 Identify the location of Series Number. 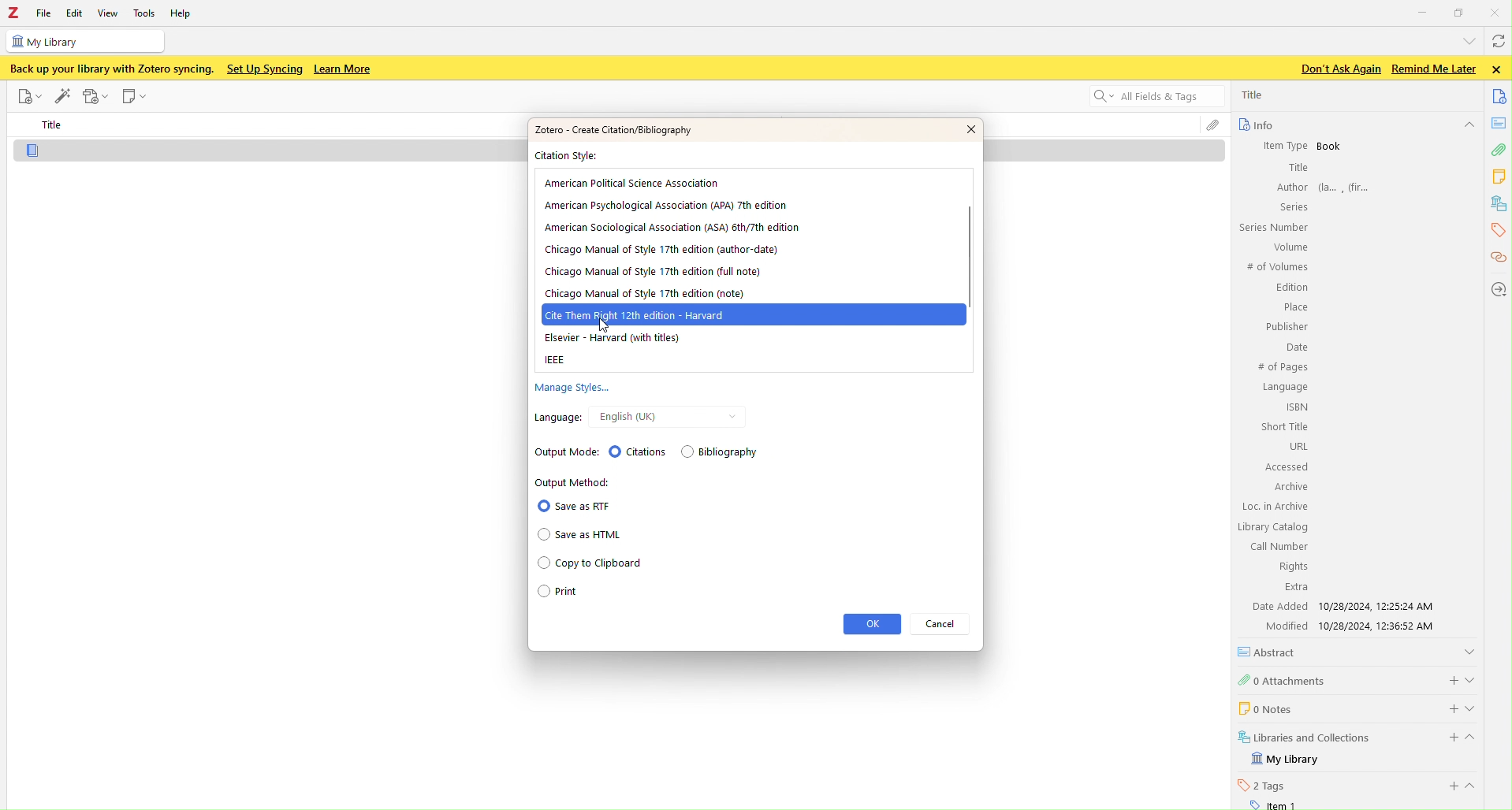
(1272, 228).